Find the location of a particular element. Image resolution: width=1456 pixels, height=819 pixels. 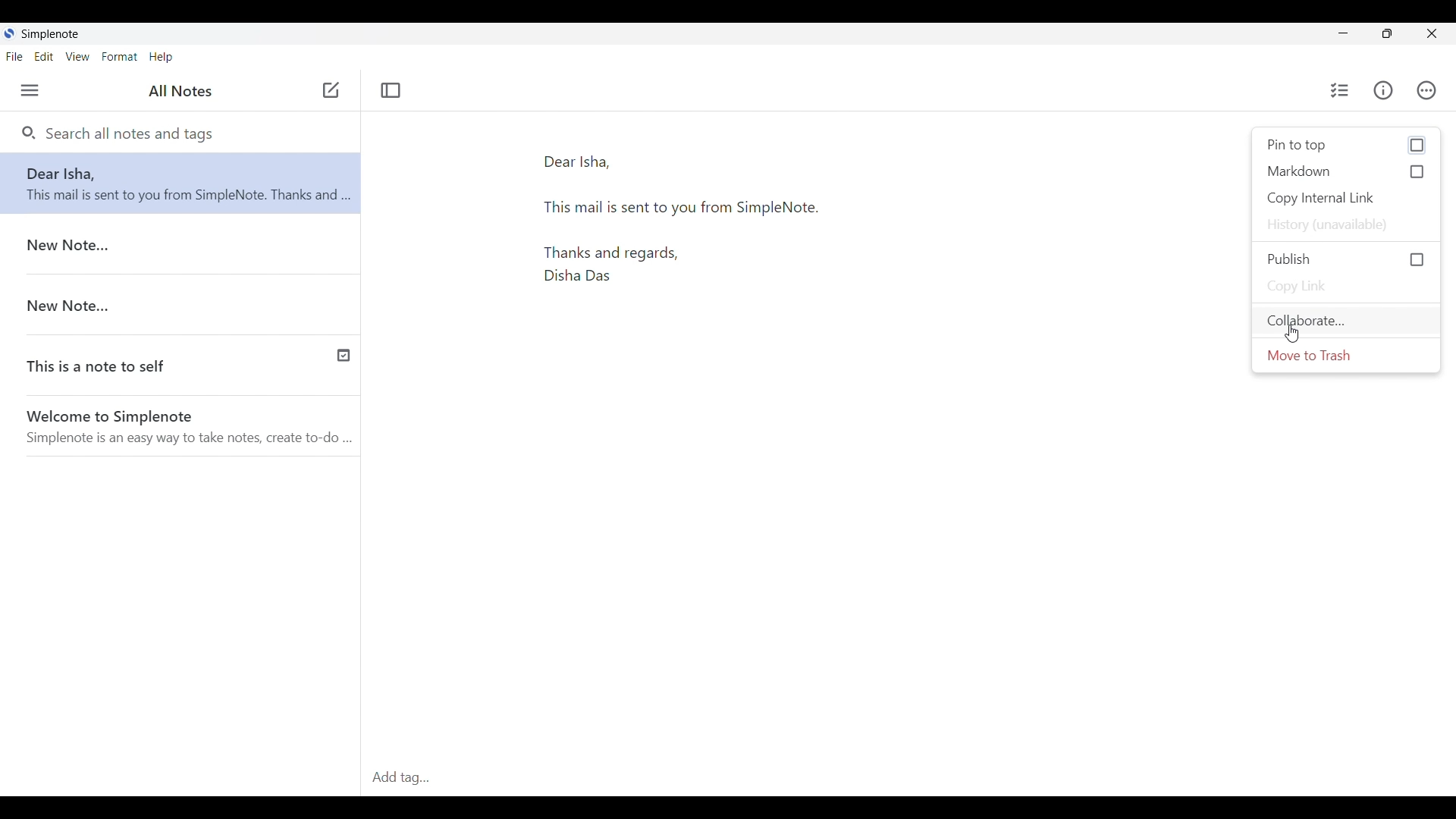

Move to trash is located at coordinates (1346, 355).